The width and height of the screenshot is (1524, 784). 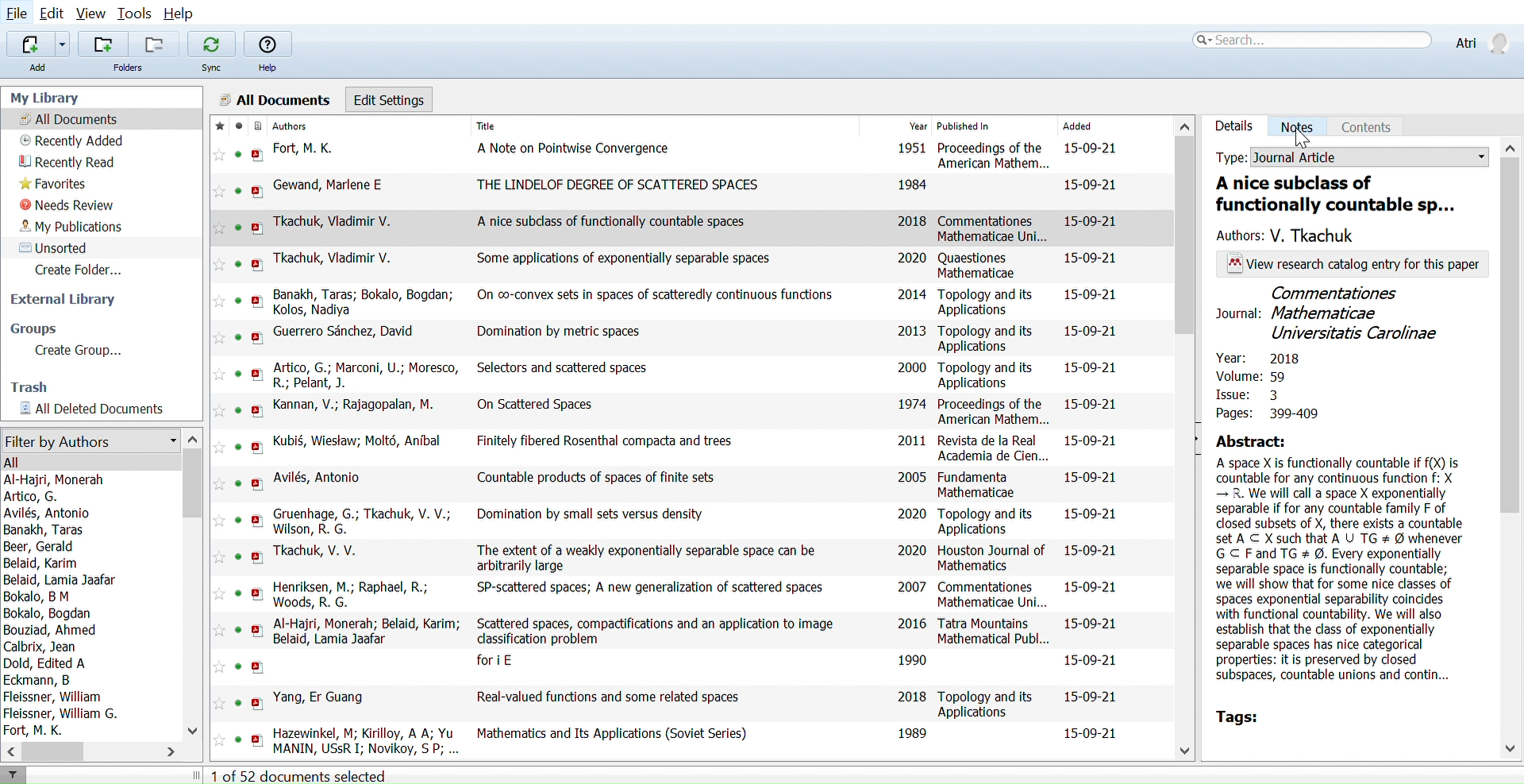 What do you see at coordinates (258, 740) in the screenshot?
I see `open PDF` at bounding box center [258, 740].